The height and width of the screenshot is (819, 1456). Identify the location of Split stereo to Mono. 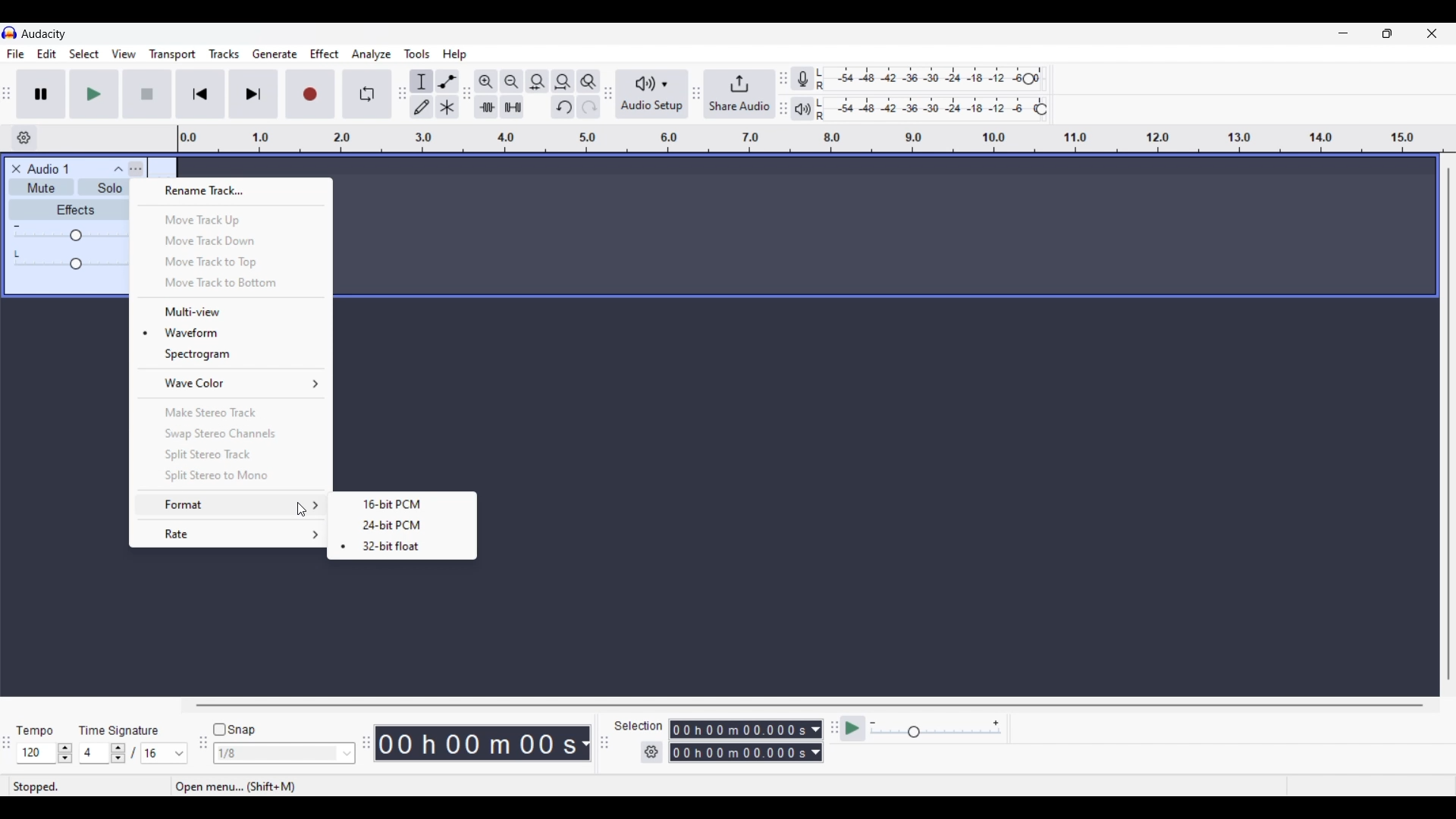
(231, 476).